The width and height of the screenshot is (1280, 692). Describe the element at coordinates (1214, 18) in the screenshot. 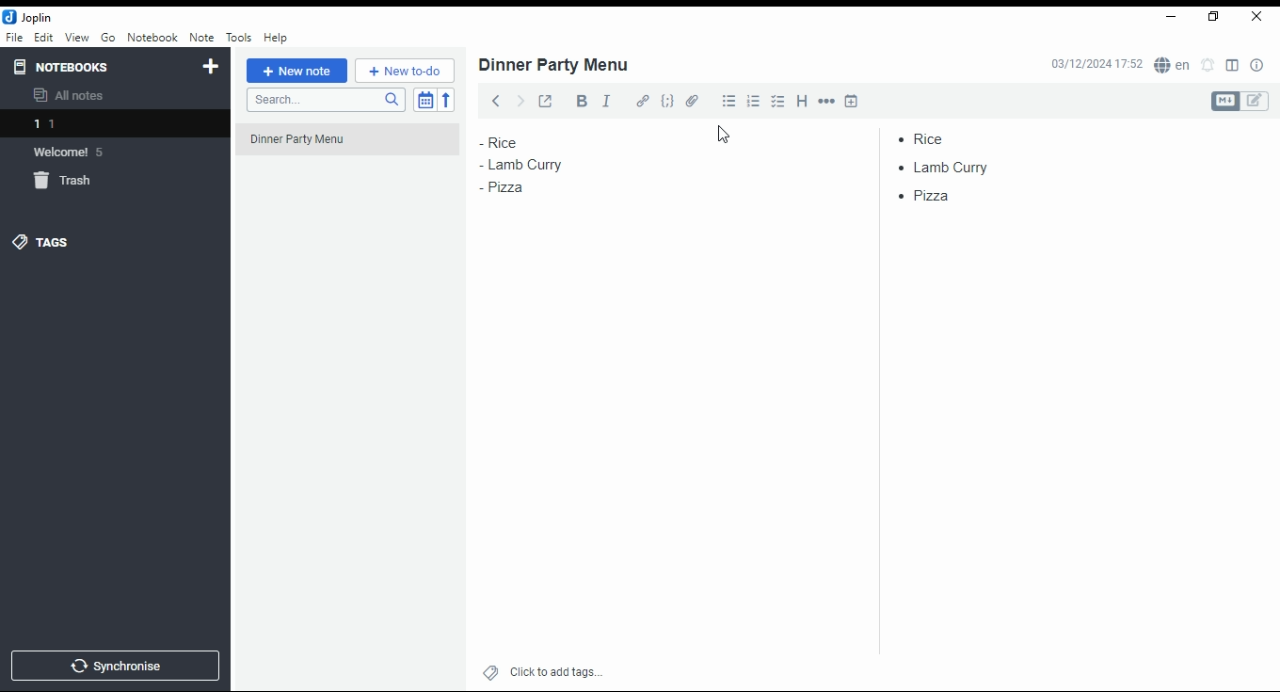

I see `Maximize` at that location.